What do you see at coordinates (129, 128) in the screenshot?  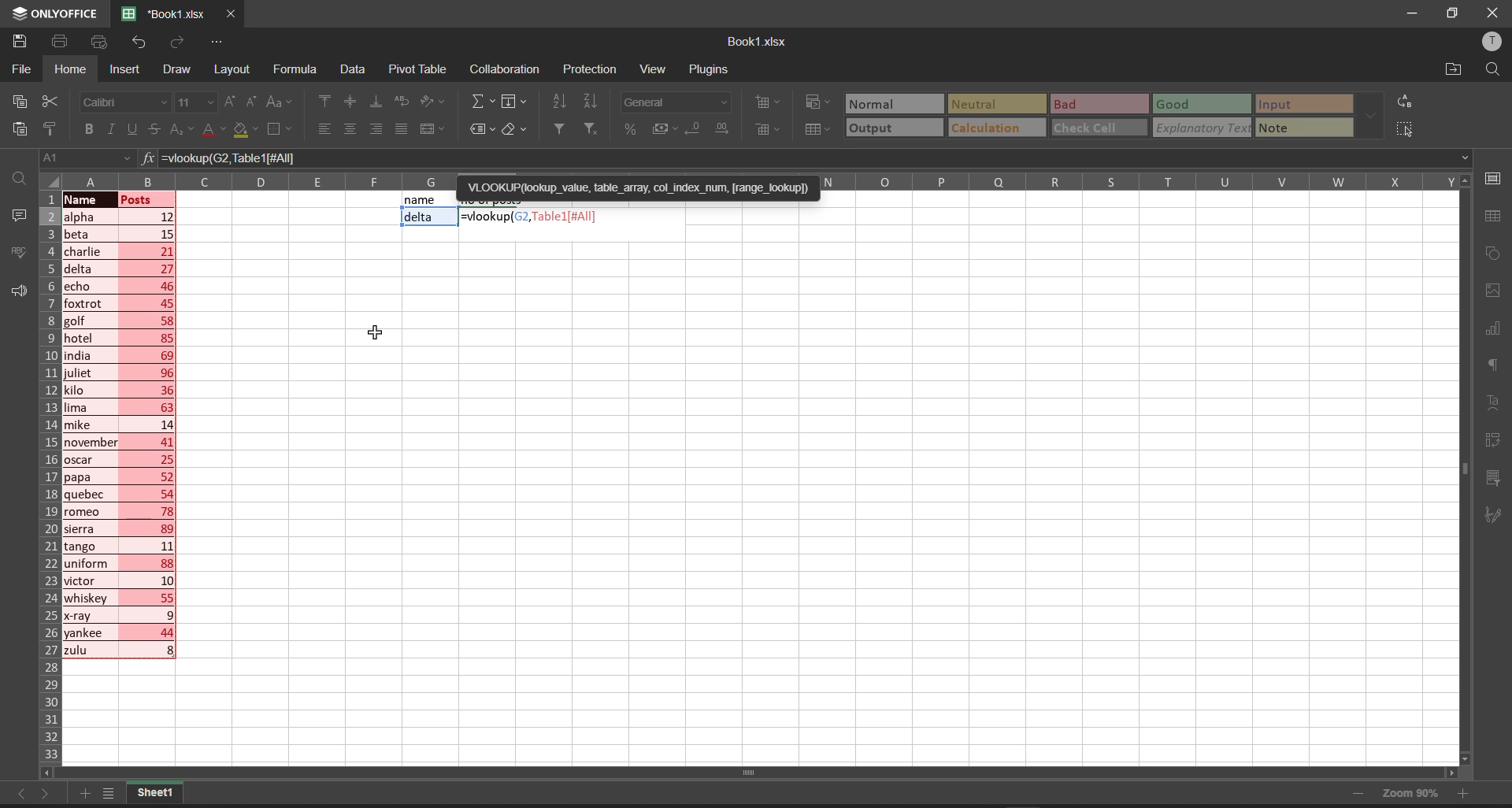 I see `underline` at bounding box center [129, 128].